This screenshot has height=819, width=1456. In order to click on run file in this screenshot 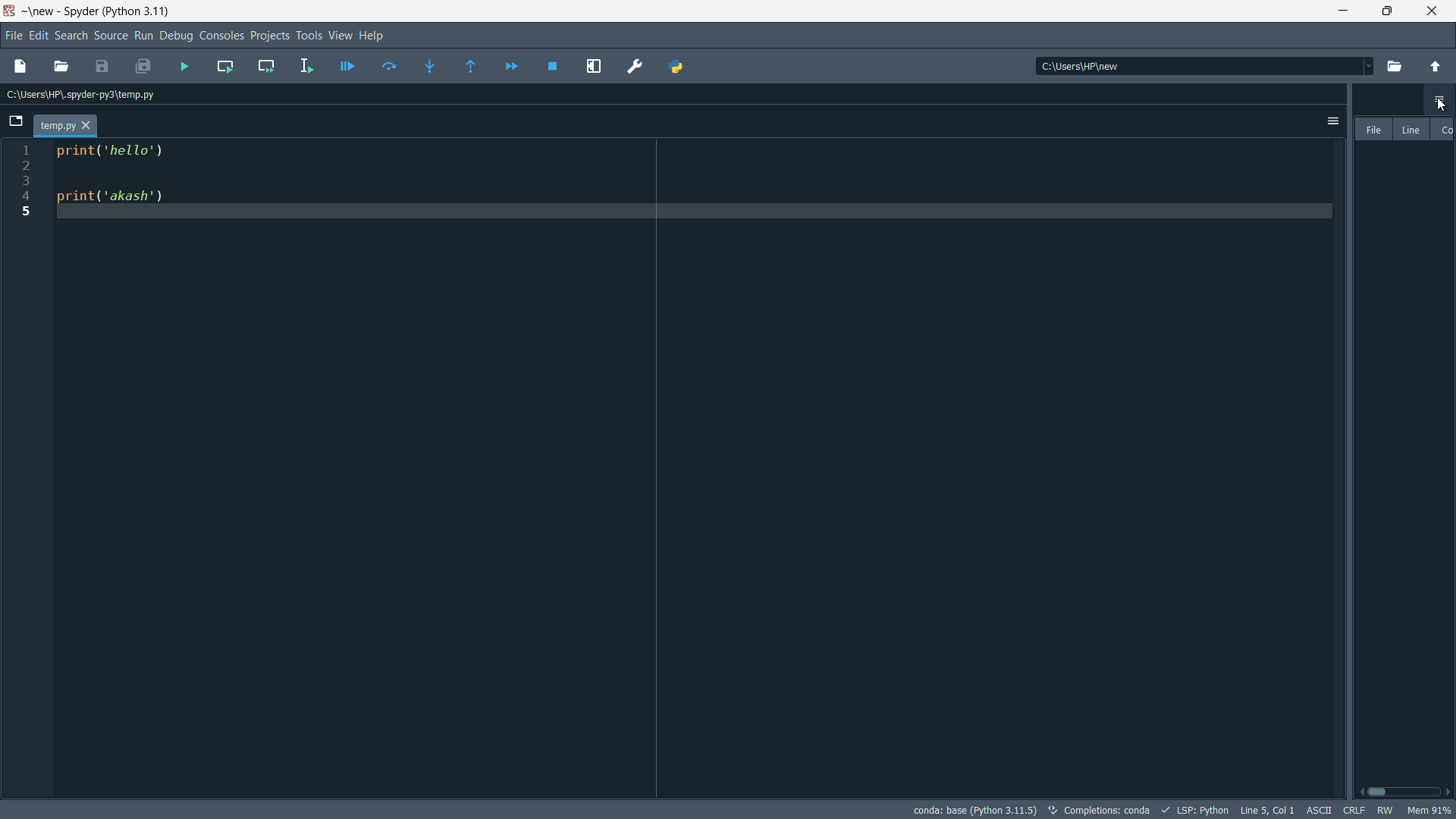, I will do `click(184, 67)`.